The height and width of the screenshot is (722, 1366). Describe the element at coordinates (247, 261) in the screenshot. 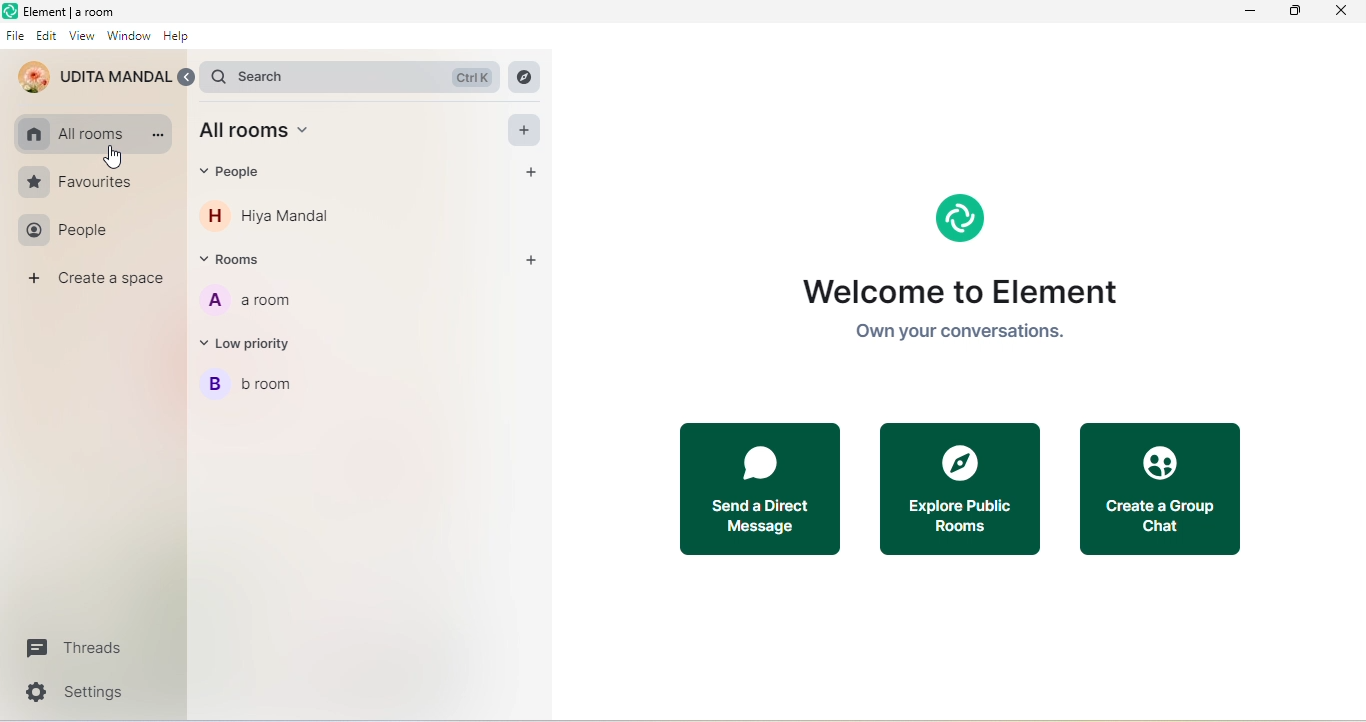

I see `~ Rooms` at that location.